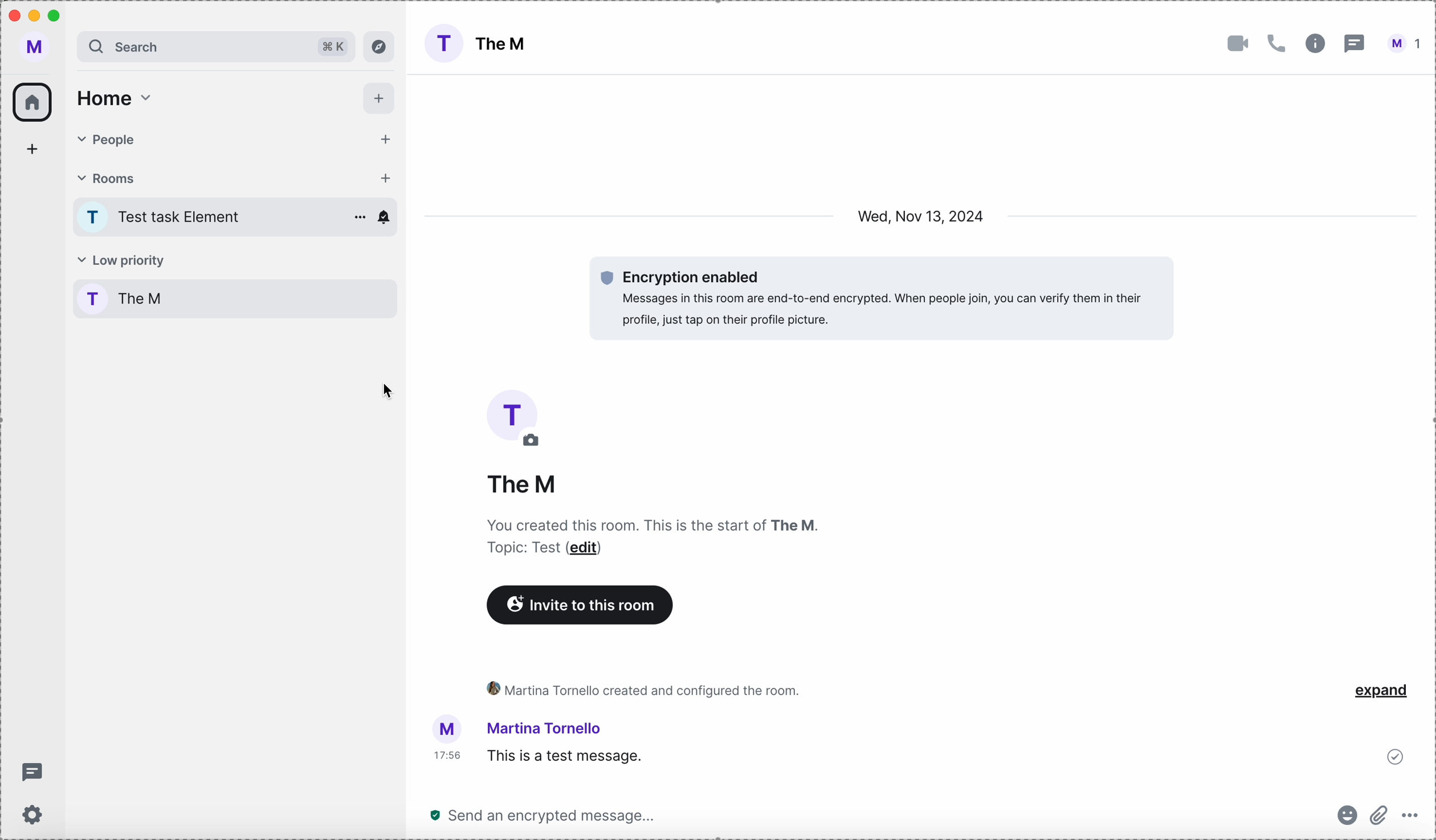 The height and width of the screenshot is (840, 1436). Describe the element at coordinates (378, 47) in the screenshot. I see `explore` at that location.